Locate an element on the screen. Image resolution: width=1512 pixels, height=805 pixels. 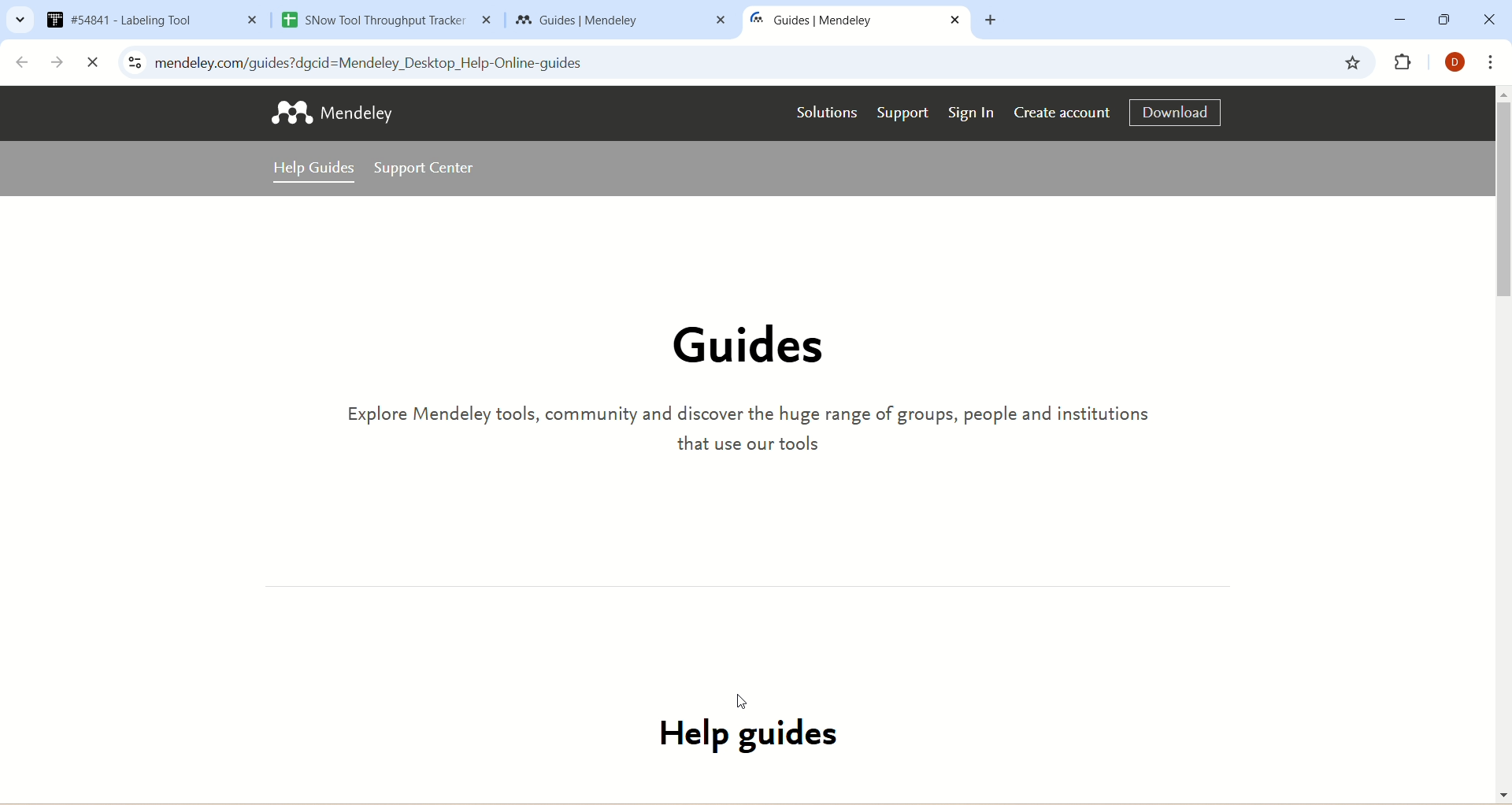
drop-down is located at coordinates (17, 20).